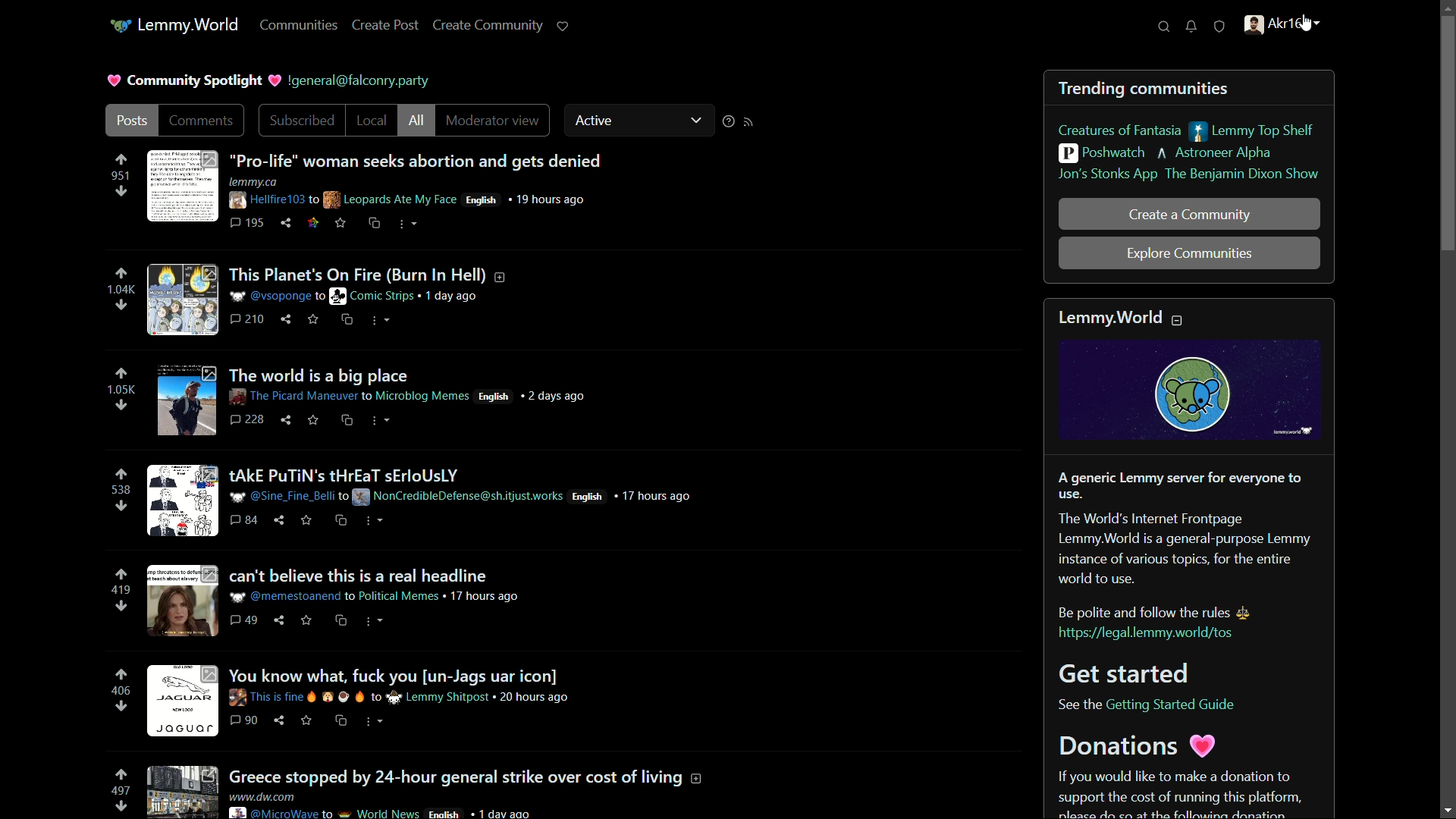  What do you see at coordinates (1163, 27) in the screenshot?
I see `search` at bounding box center [1163, 27].